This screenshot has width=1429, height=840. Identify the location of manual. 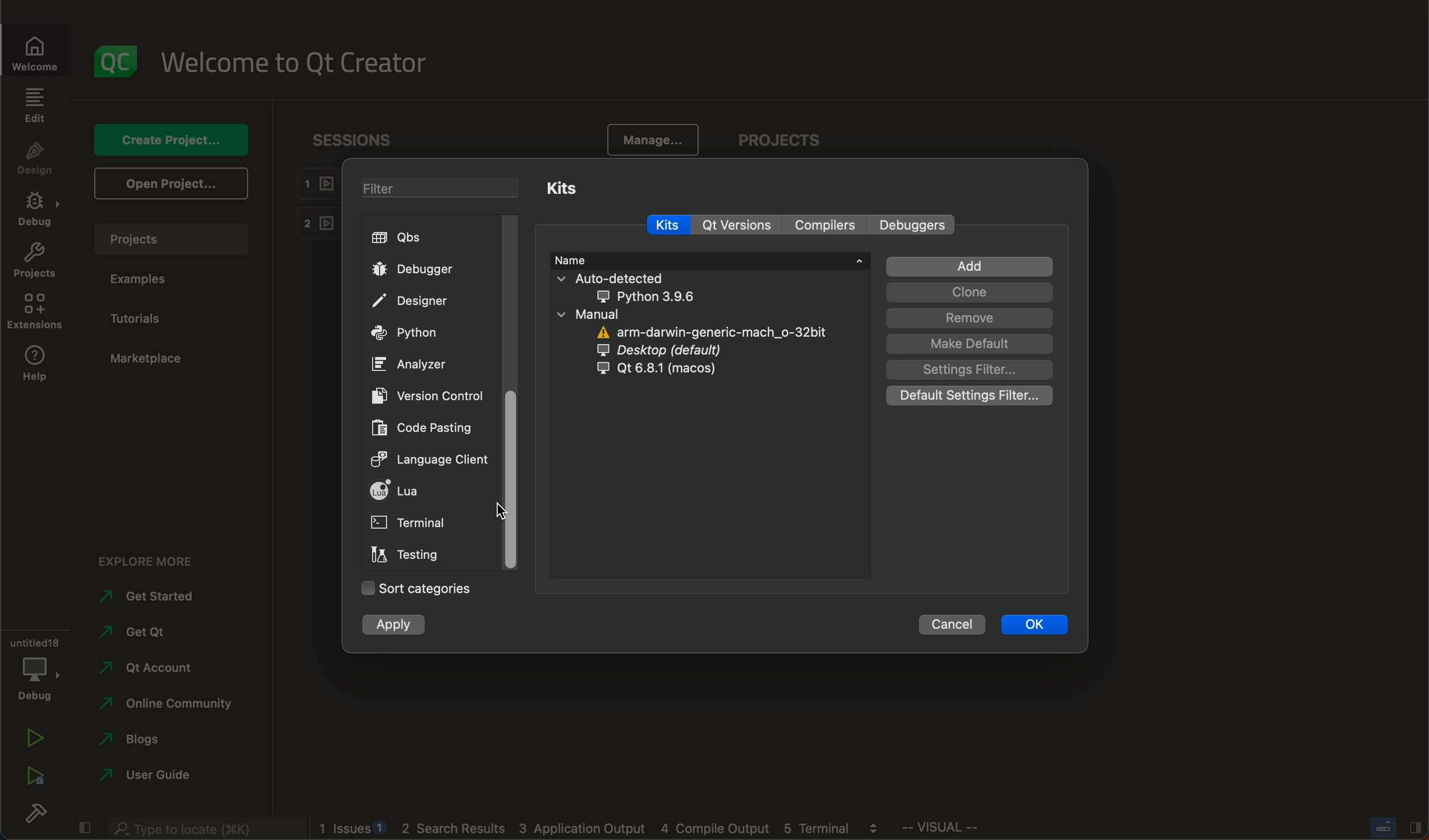
(614, 315).